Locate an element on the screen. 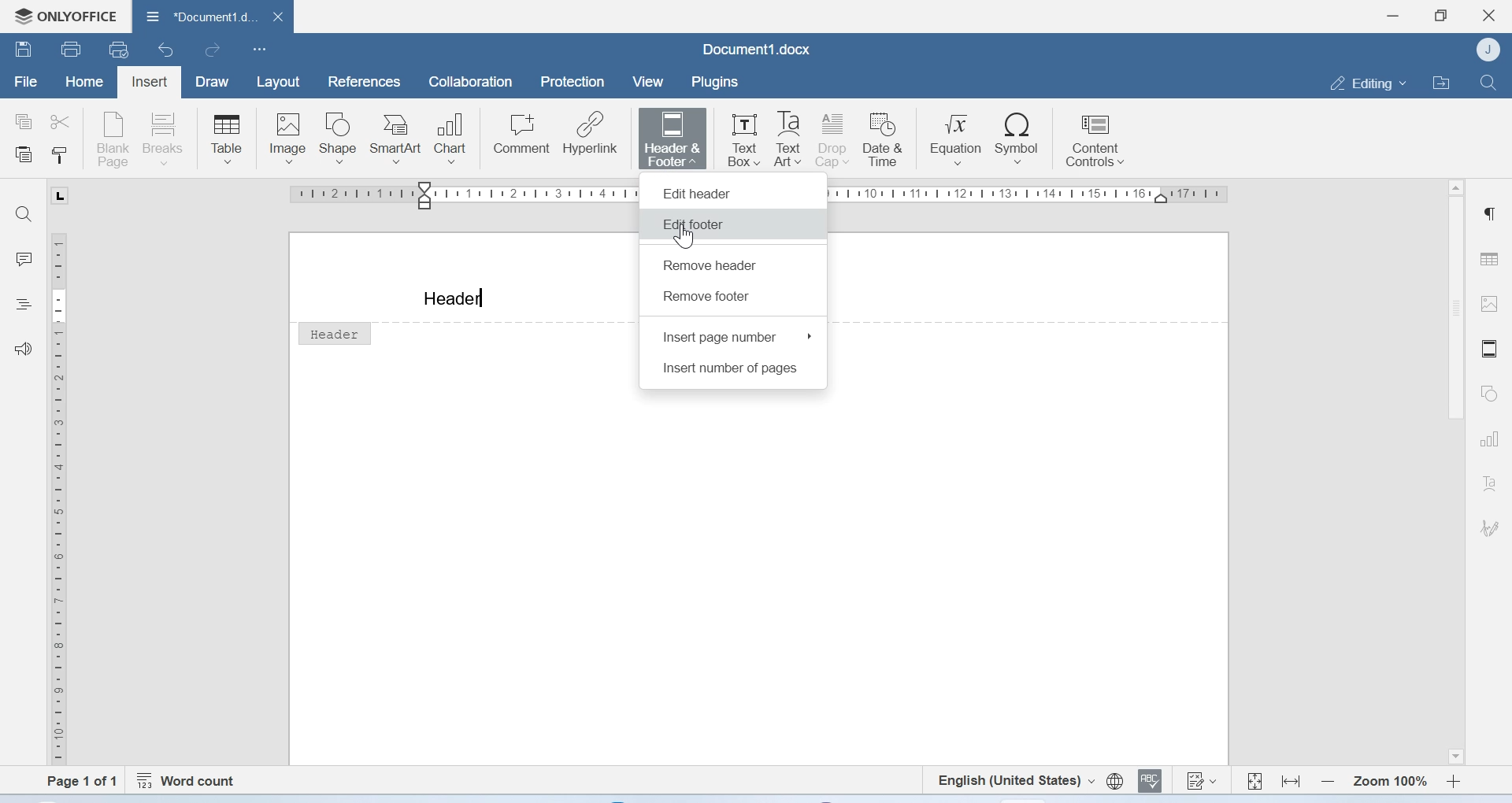  Charts is located at coordinates (1488, 440).